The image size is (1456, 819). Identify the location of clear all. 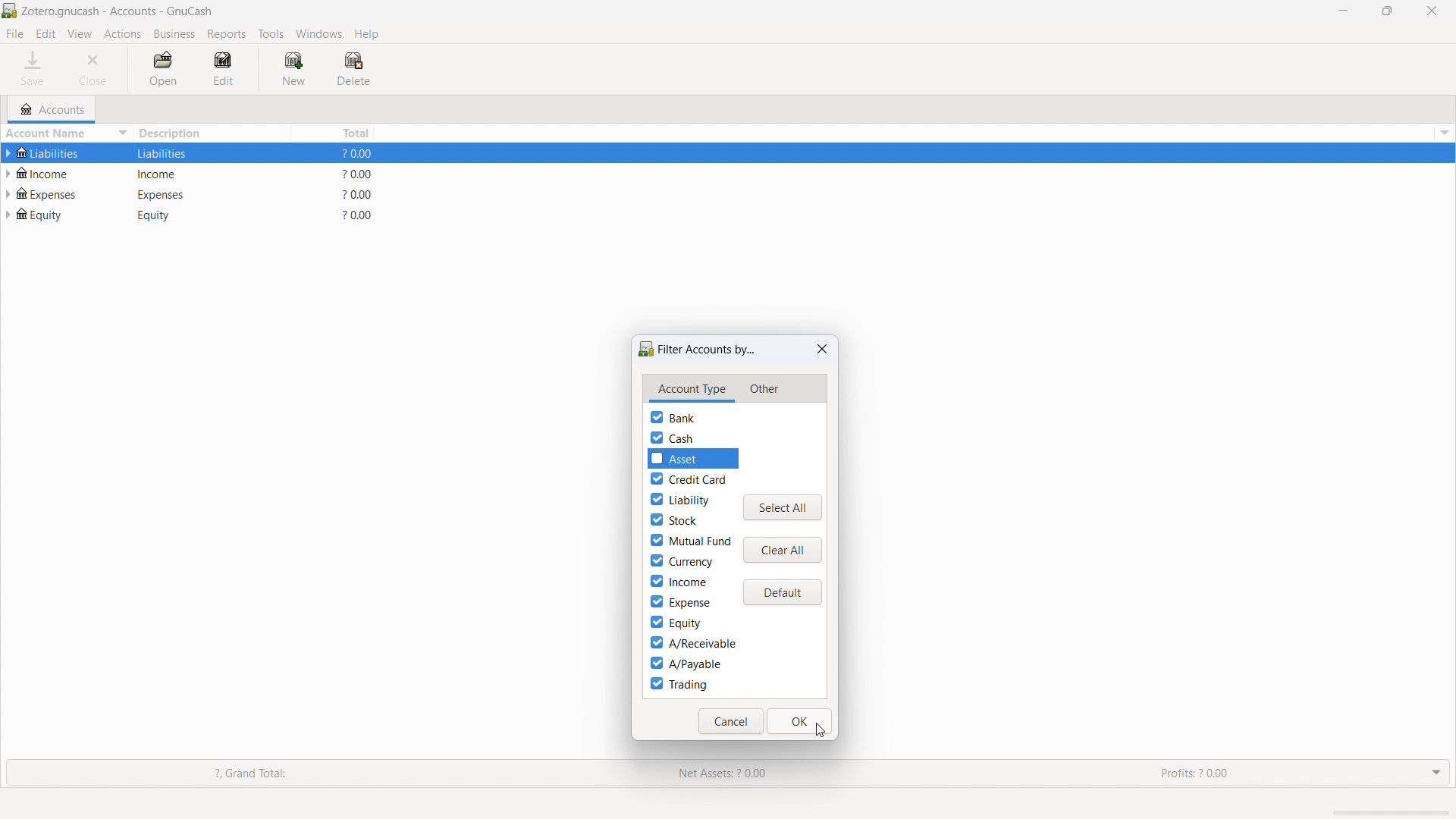
(783, 550).